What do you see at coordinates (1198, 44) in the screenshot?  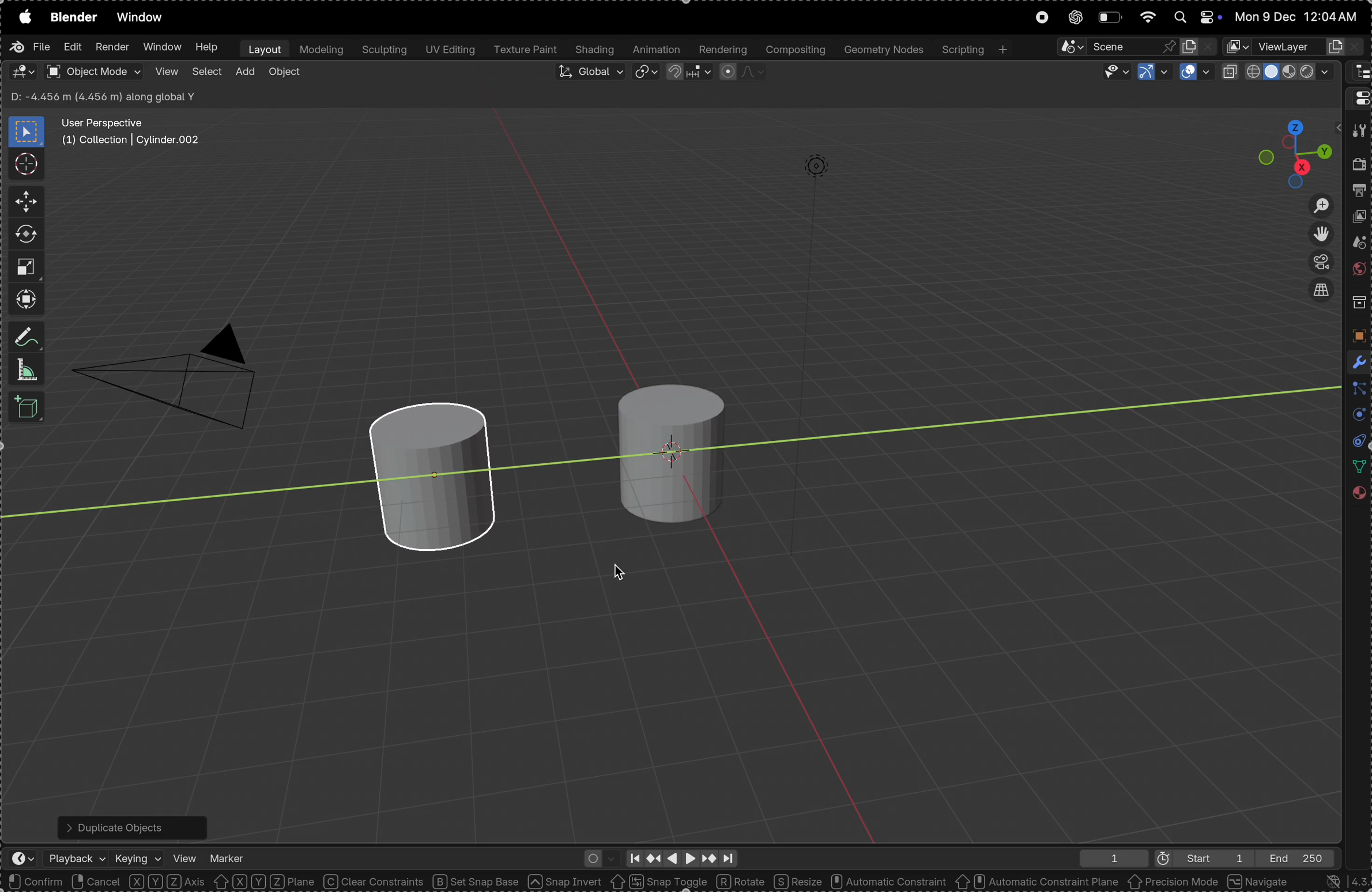 I see `new scene` at bounding box center [1198, 44].